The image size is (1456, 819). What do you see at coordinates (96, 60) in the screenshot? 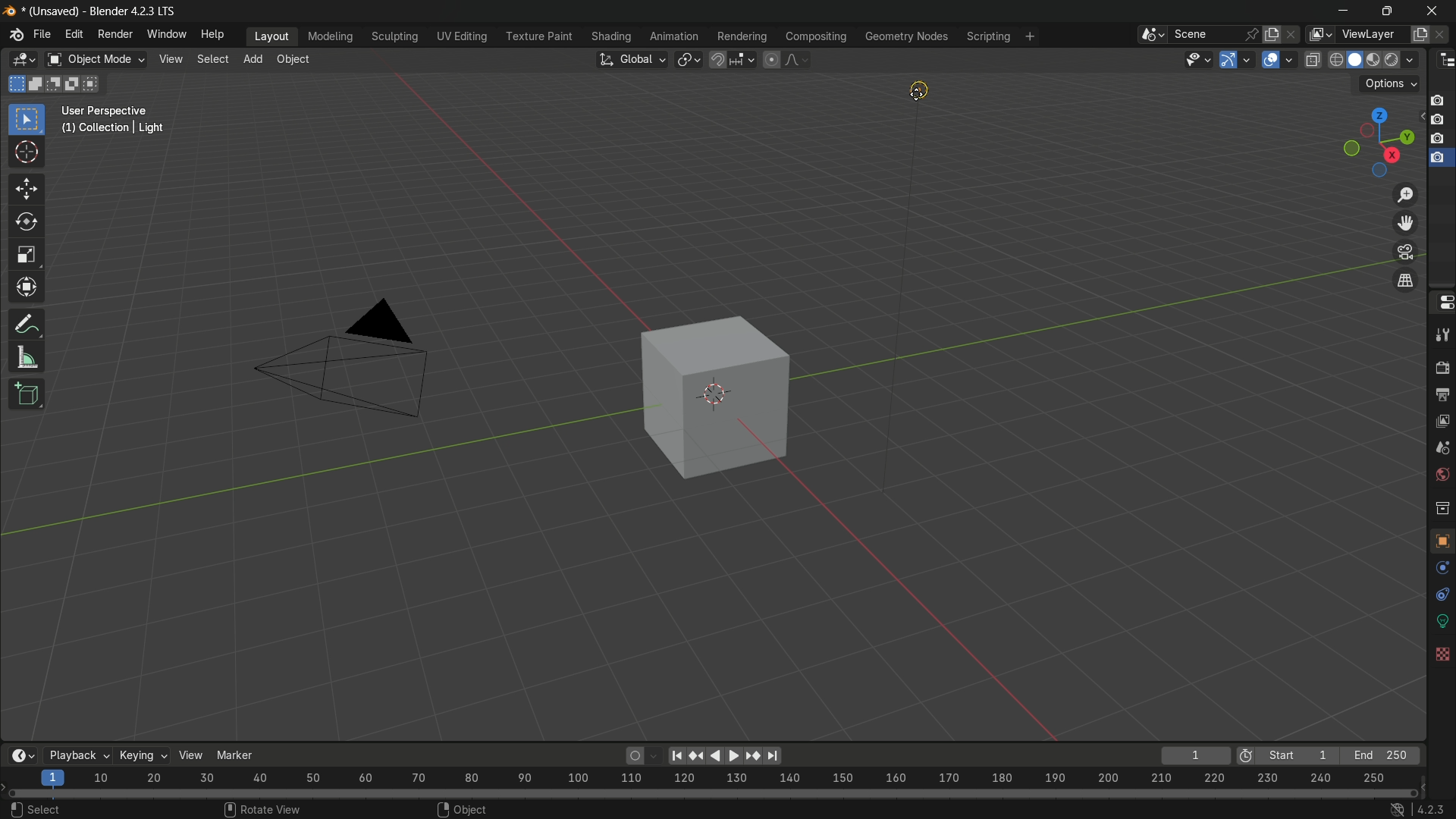
I see `object mode` at bounding box center [96, 60].